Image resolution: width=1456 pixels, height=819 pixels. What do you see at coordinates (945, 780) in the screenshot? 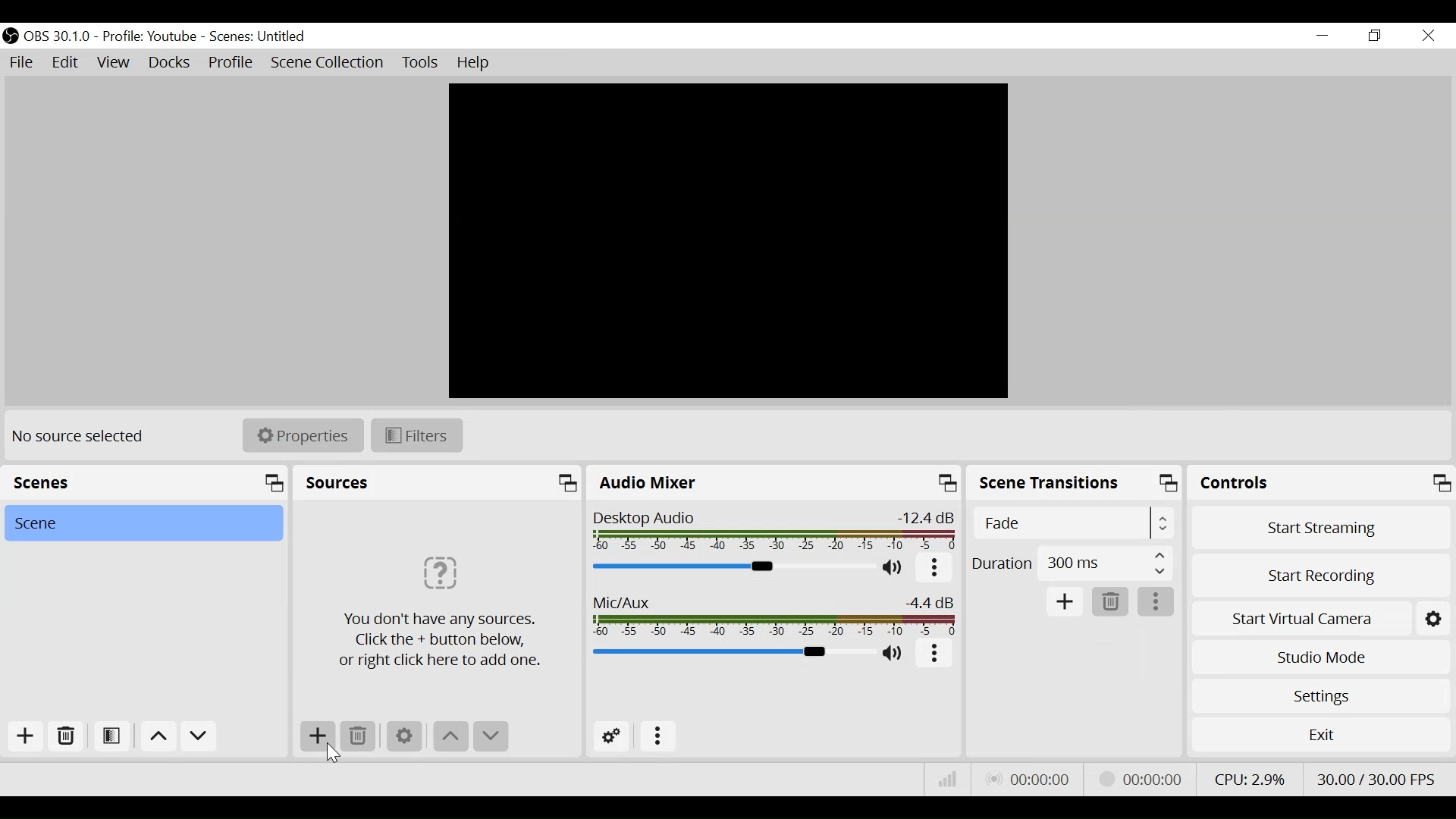
I see `Bitrate` at bounding box center [945, 780].